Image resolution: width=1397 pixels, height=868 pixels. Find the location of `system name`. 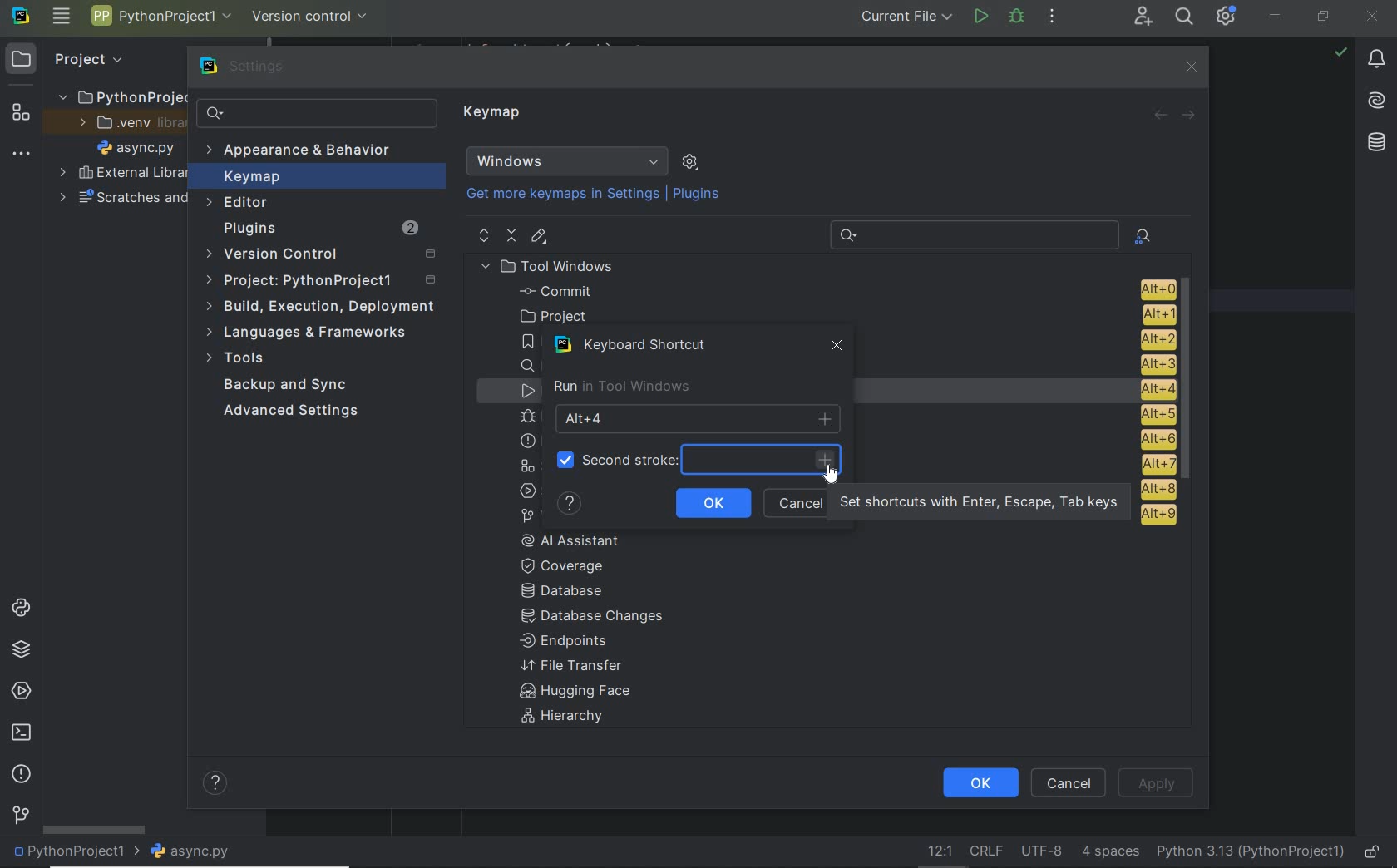

system name is located at coordinates (21, 17).